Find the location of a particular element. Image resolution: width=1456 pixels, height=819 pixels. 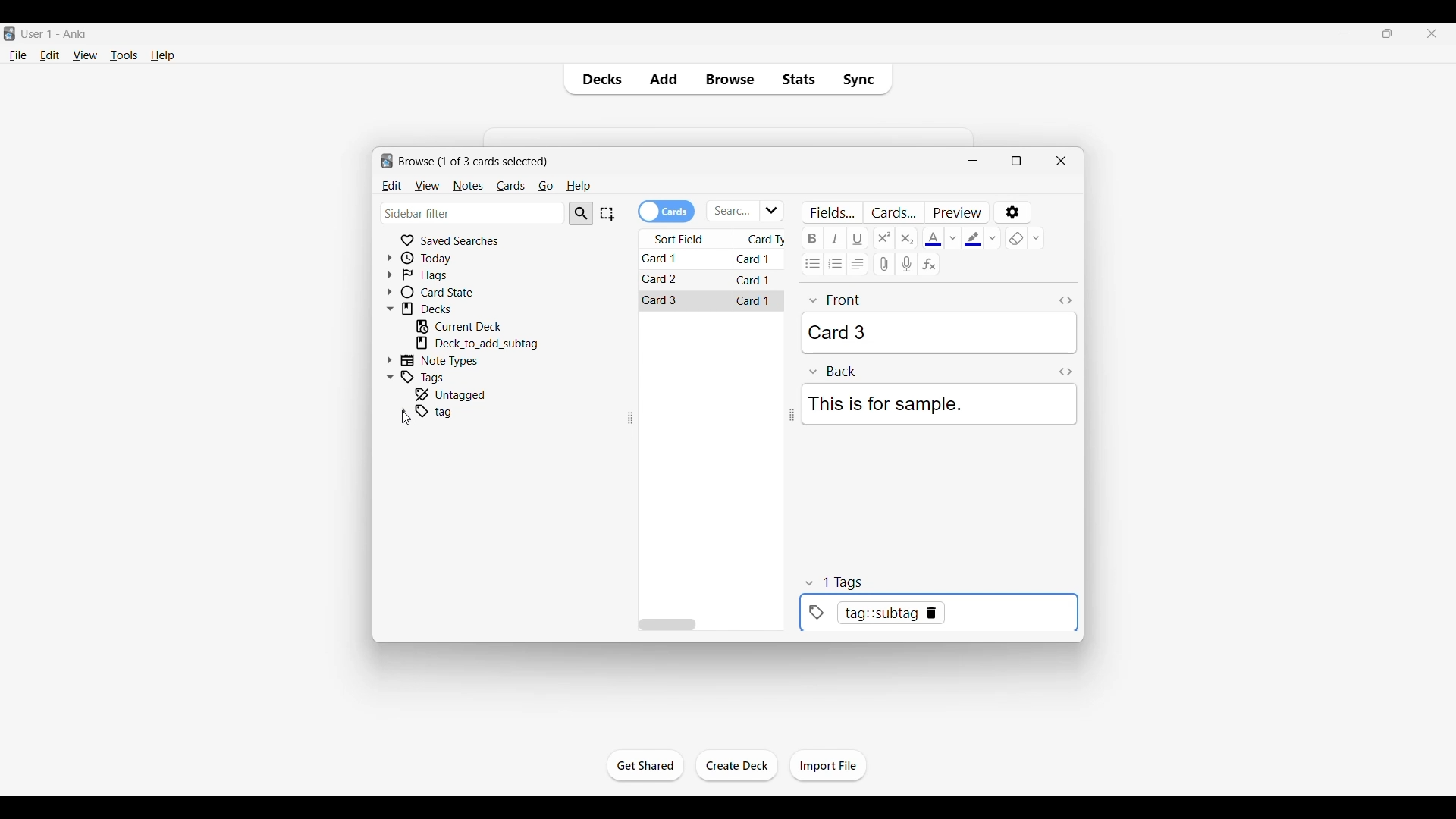

Record audio is located at coordinates (906, 264).